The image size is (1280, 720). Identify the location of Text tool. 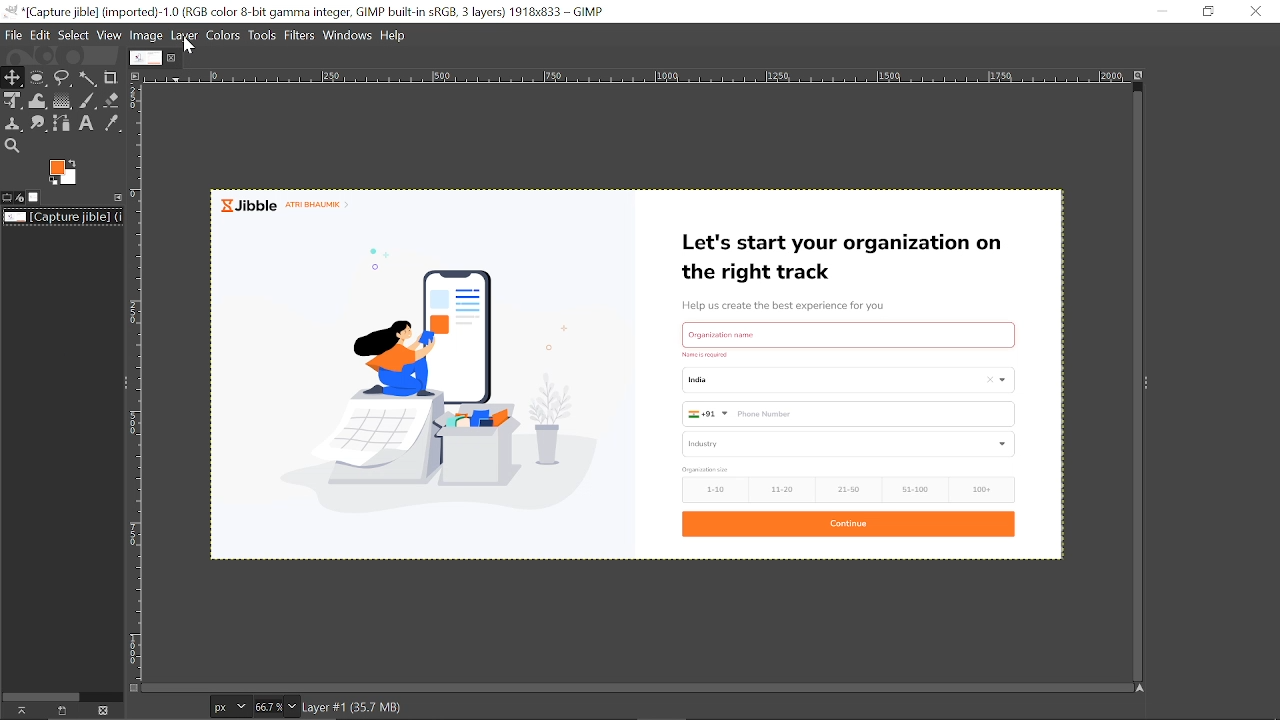
(88, 124).